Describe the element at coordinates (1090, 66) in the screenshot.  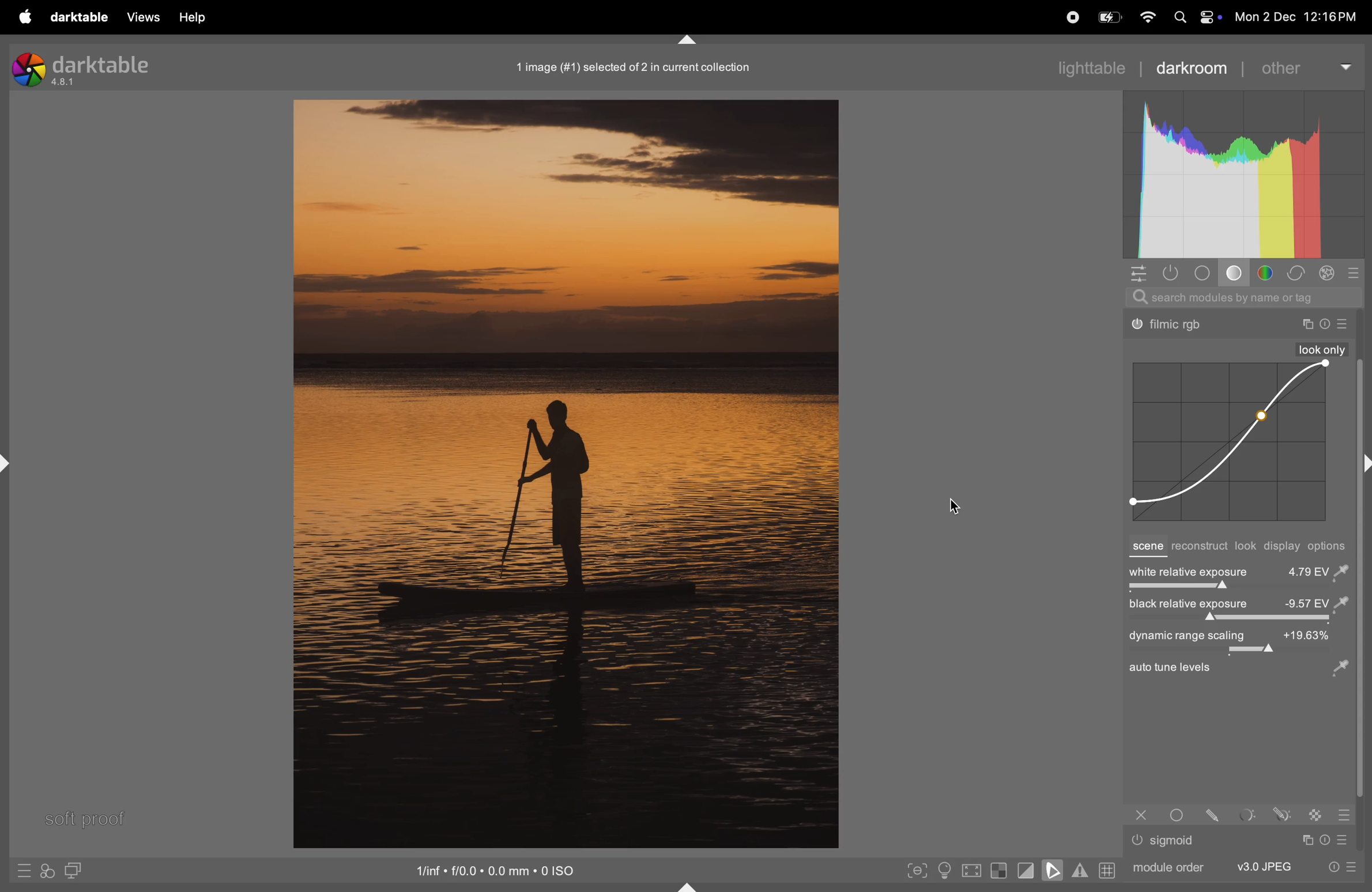
I see `lighttable` at that location.